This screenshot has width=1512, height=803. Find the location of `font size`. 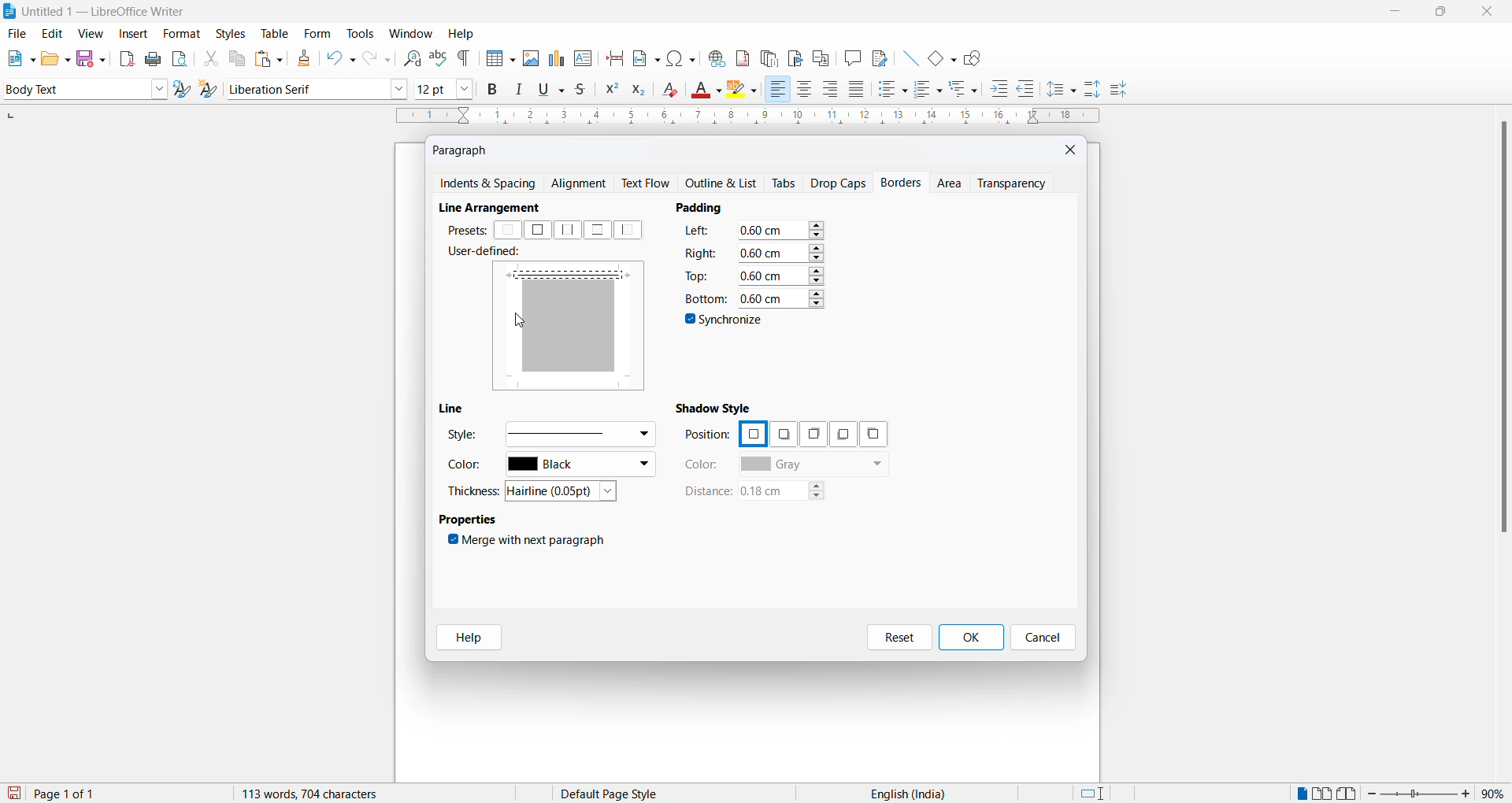

font size is located at coordinates (432, 88).